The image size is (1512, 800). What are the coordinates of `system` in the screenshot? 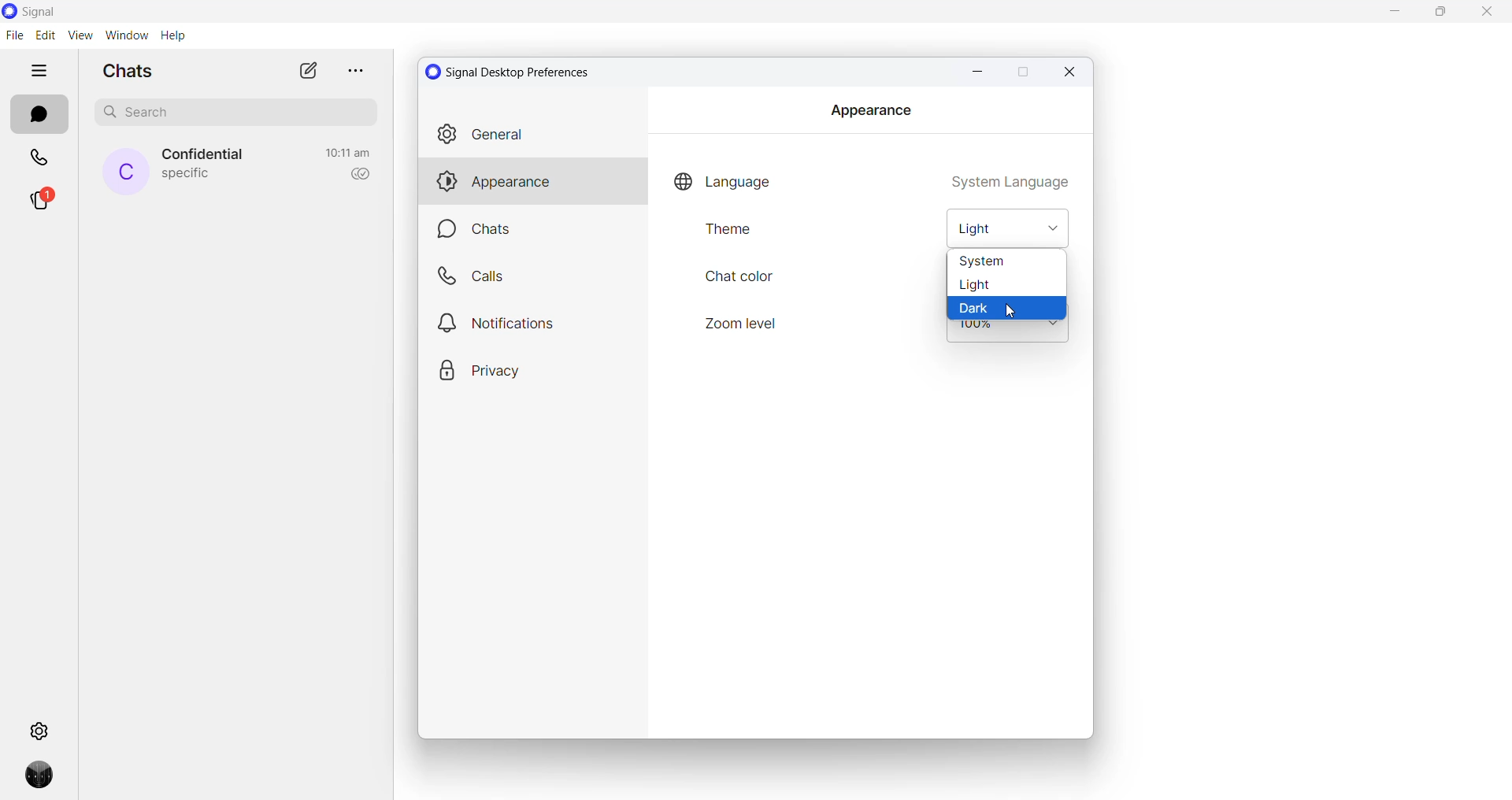 It's located at (1005, 261).